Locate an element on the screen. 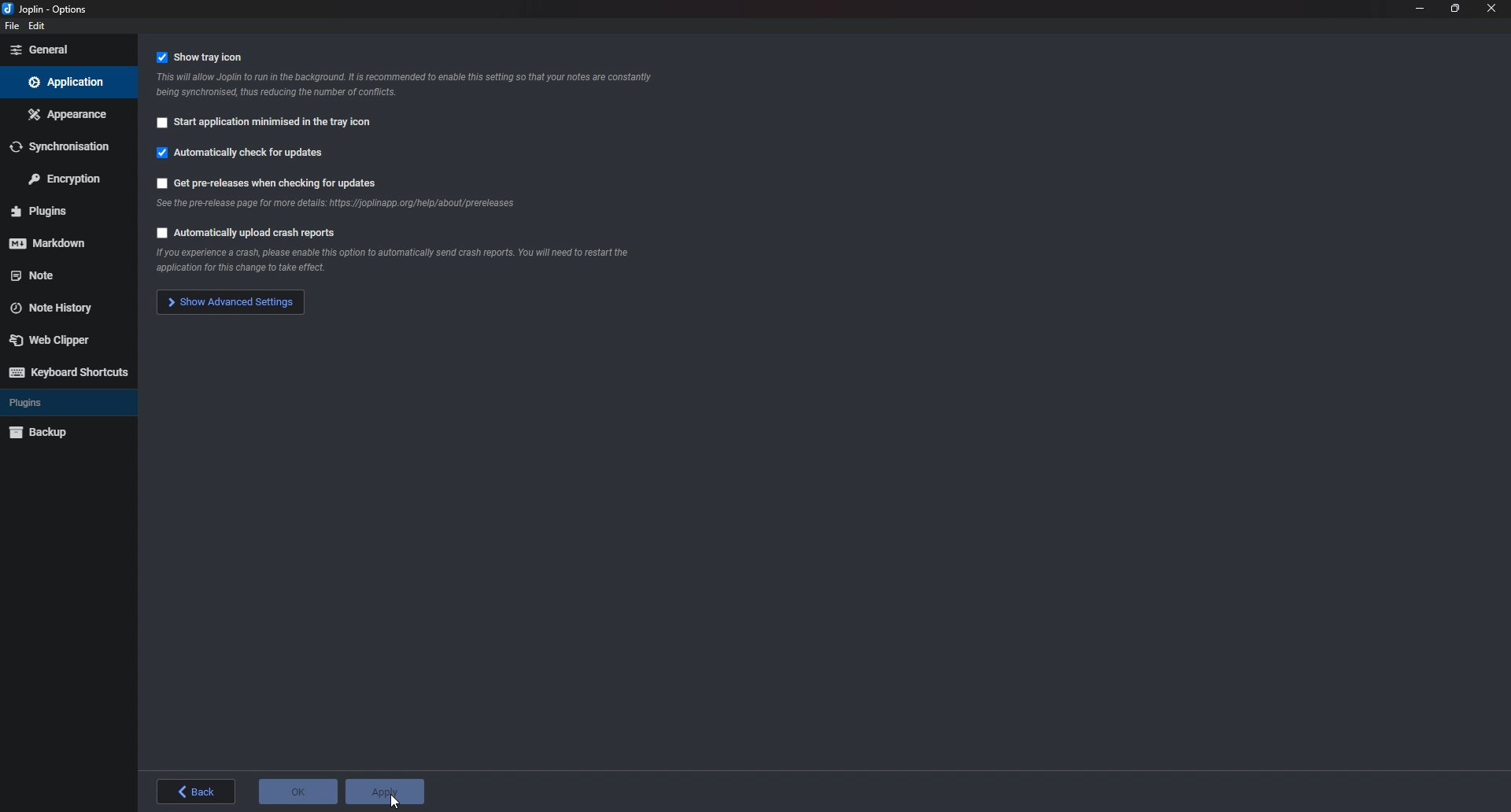  Note history is located at coordinates (59, 308).